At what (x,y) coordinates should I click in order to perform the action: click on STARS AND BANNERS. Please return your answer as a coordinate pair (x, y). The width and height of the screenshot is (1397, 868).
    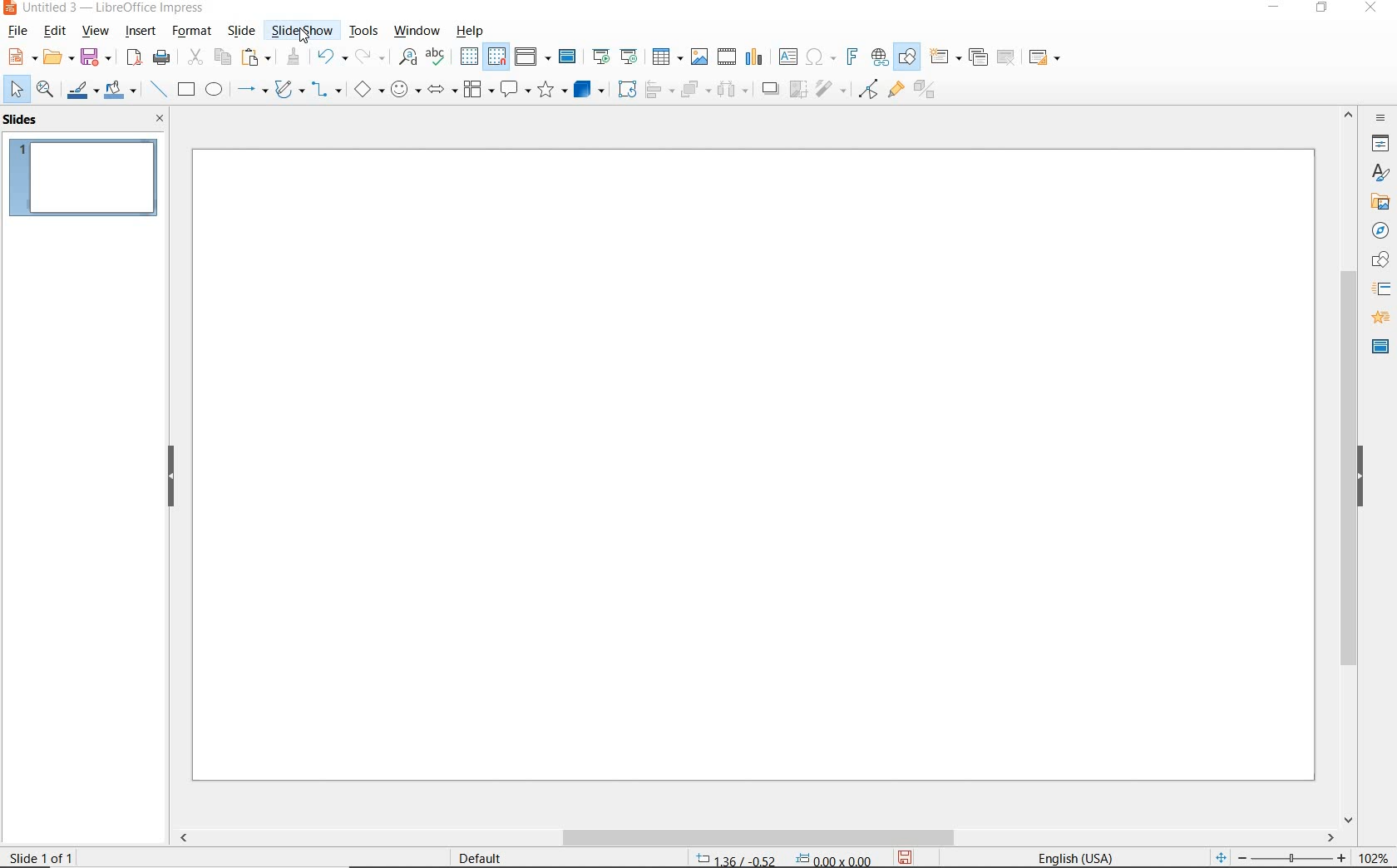
    Looking at the image, I should click on (549, 91).